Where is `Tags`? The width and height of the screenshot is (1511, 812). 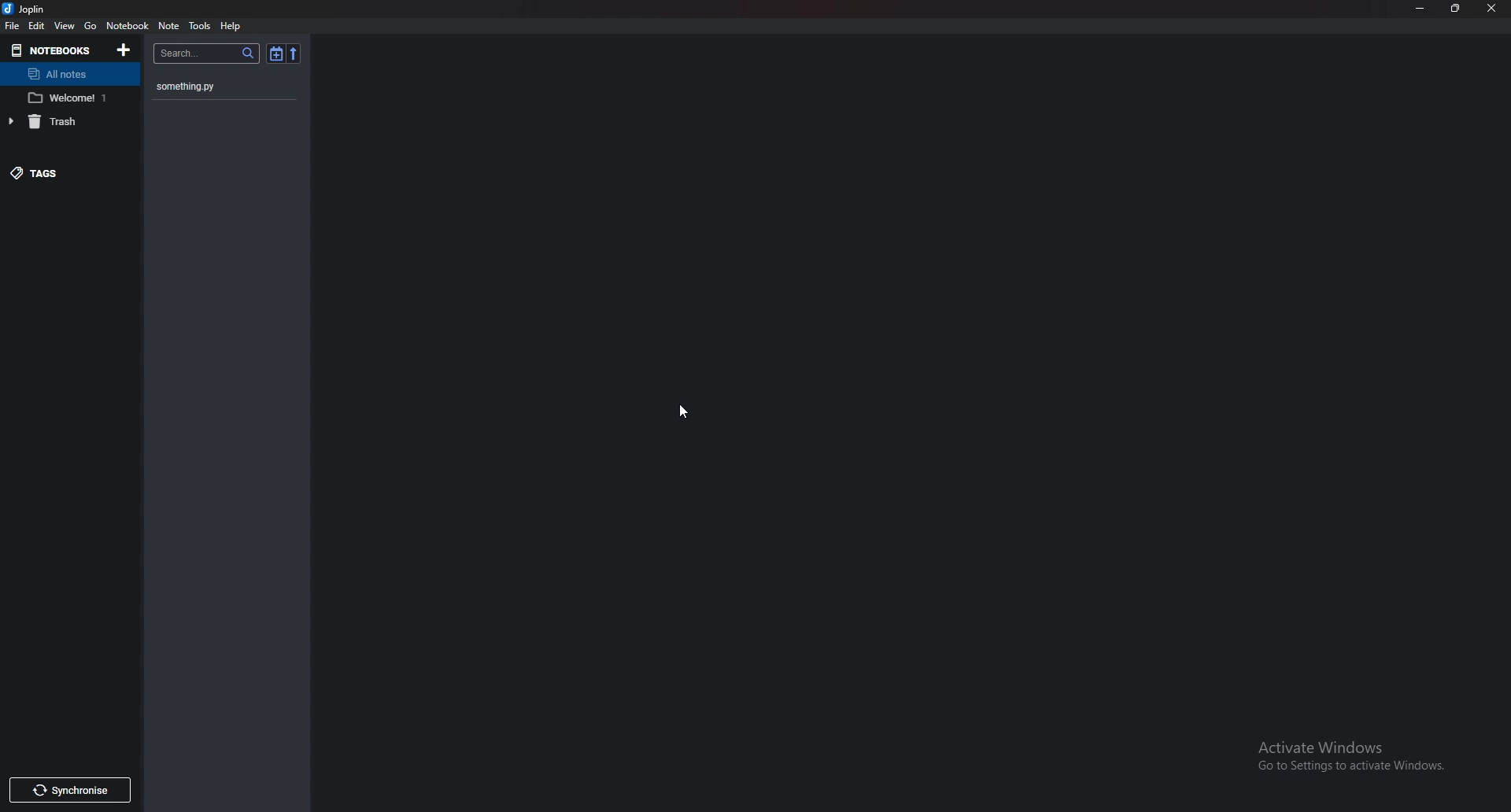 Tags is located at coordinates (67, 173).